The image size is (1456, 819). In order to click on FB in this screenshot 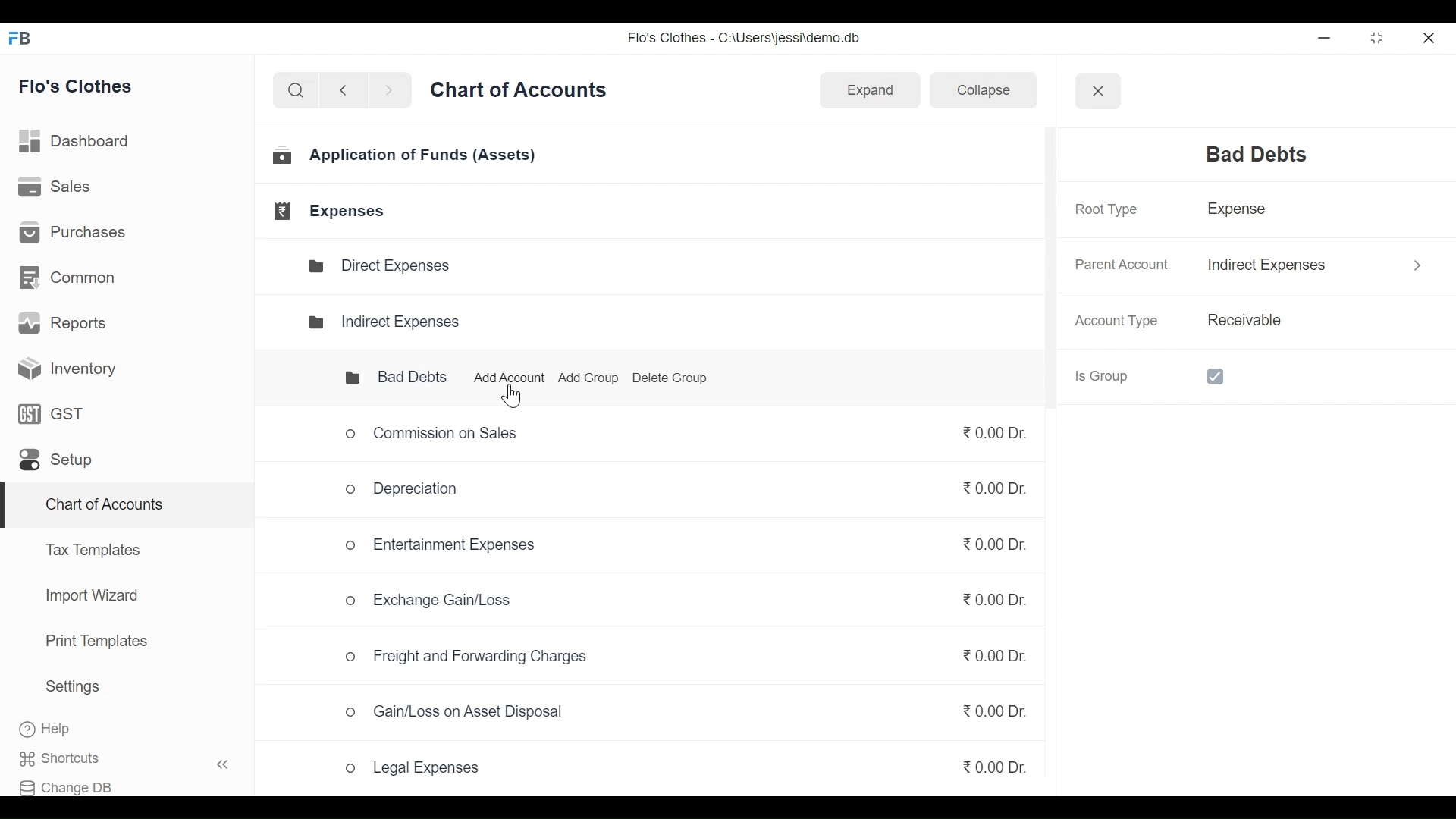, I will do `click(24, 42)`.